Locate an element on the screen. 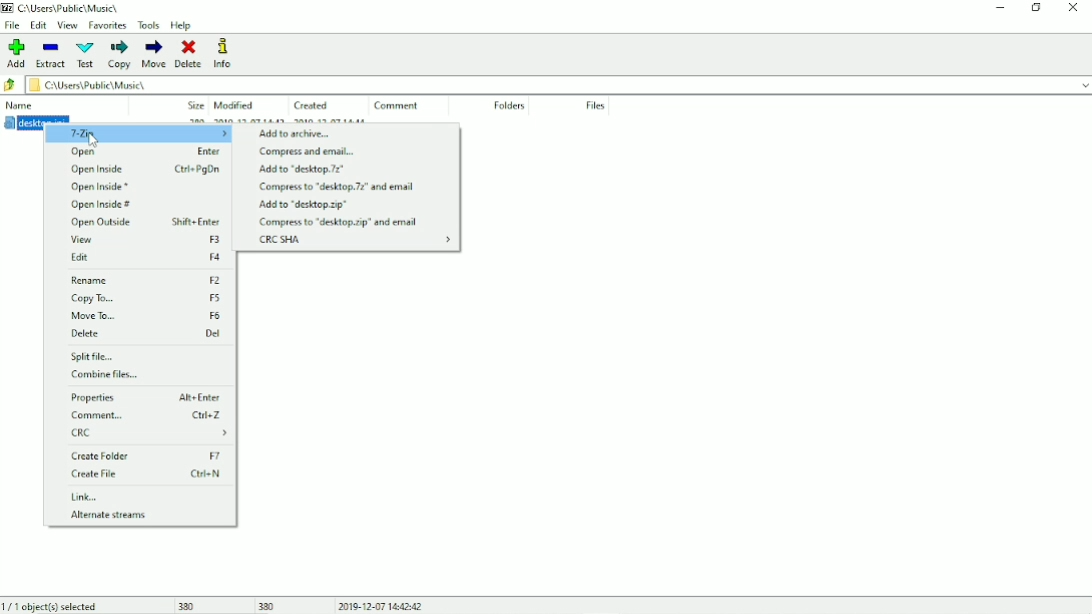 This screenshot has height=614, width=1092. Create Folder is located at coordinates (147, 456).